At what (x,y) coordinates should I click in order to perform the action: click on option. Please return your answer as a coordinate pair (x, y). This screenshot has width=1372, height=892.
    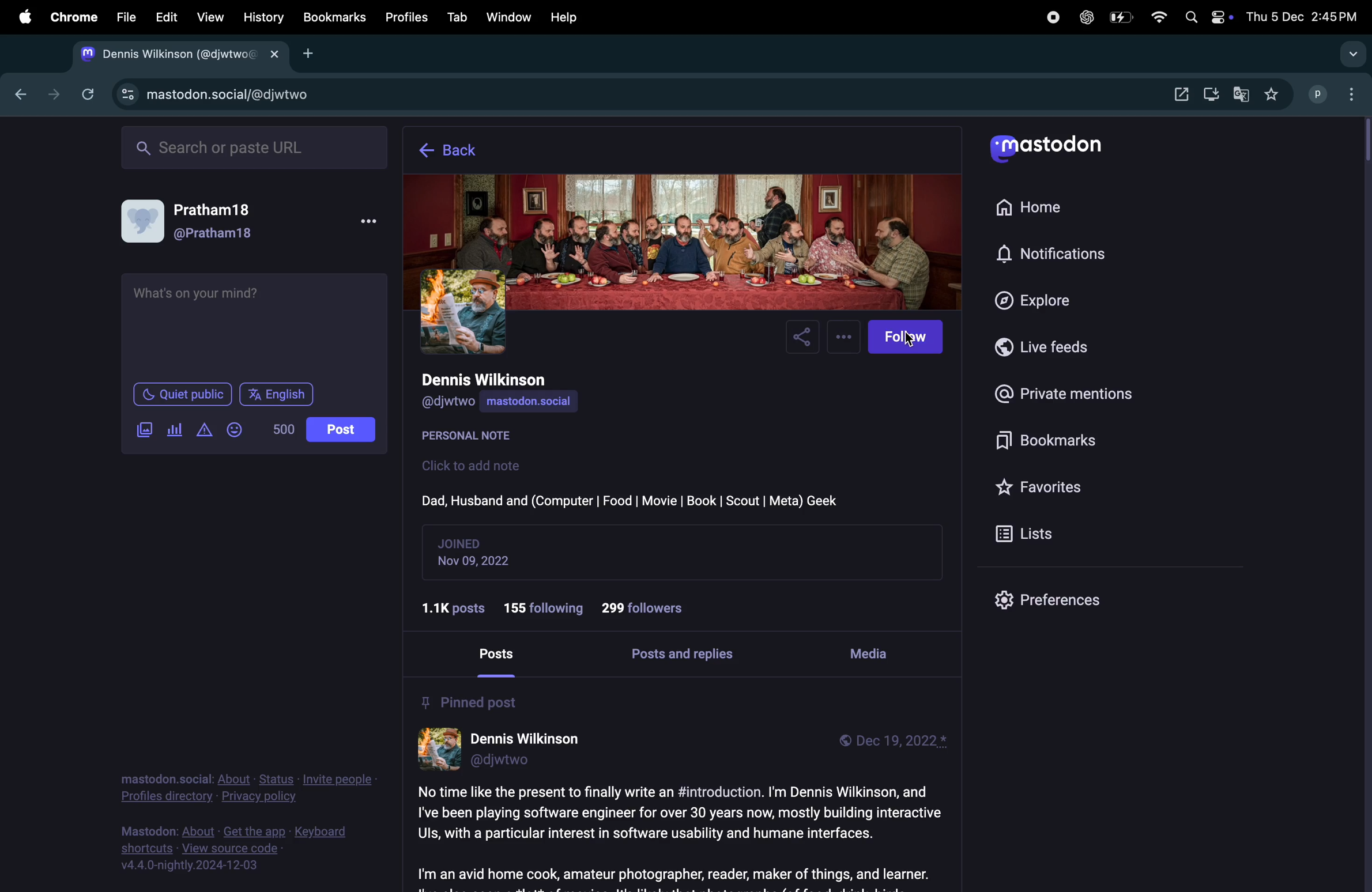
    Looking at the image, I should click on (1351, 55).